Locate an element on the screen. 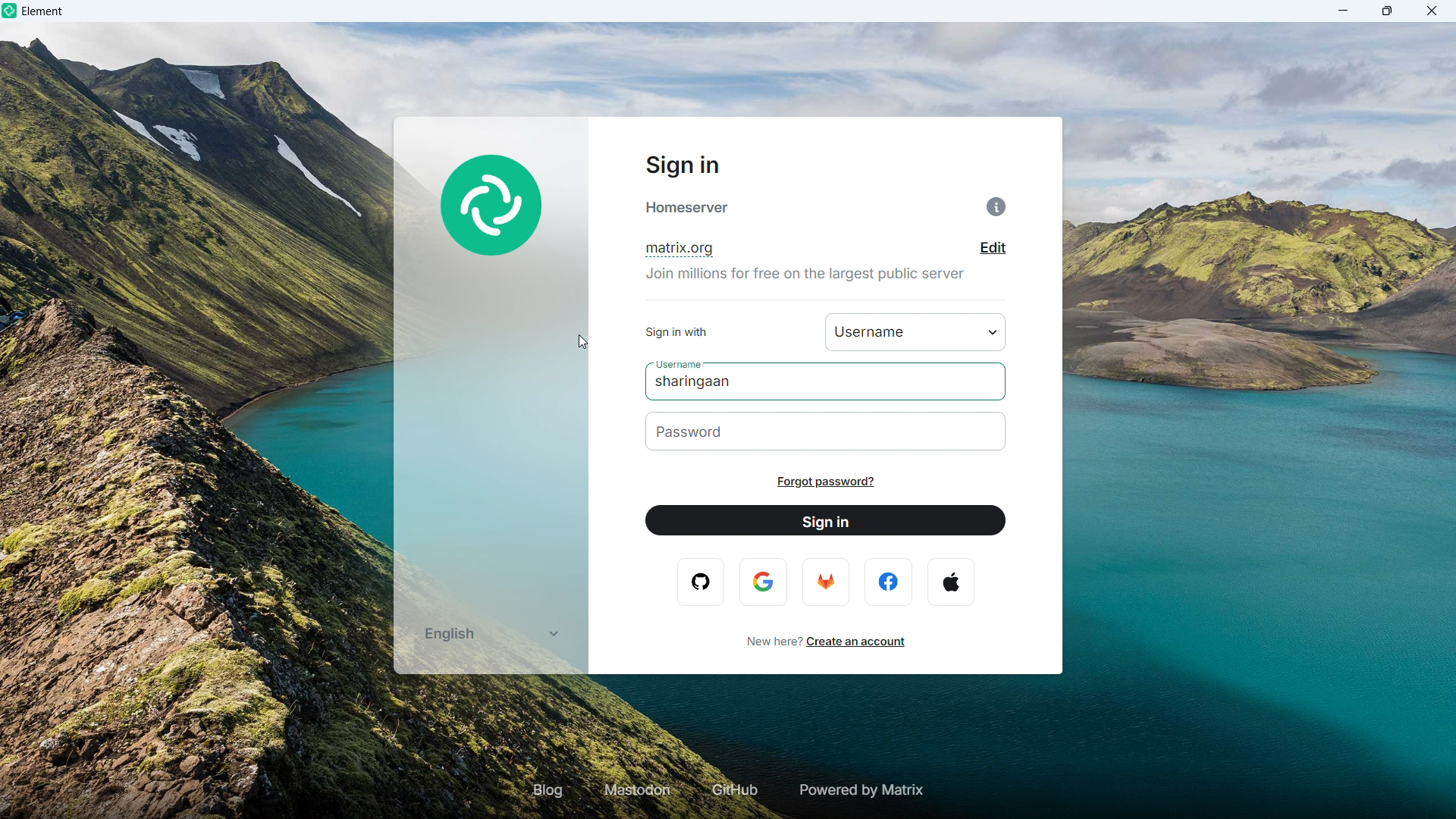 This screenshot has height=819, width=1456. Enter password  is located at coordinates (827, 431).